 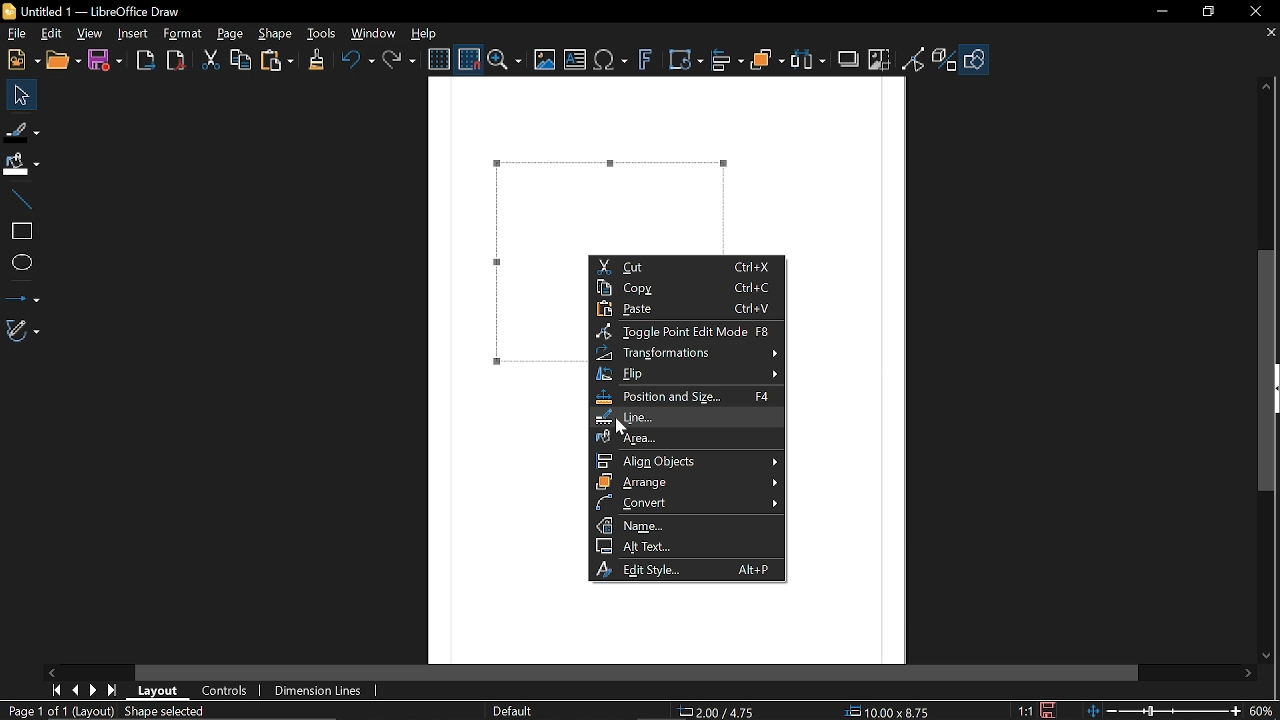 I want to click on Page, so click(x=230, y=35).